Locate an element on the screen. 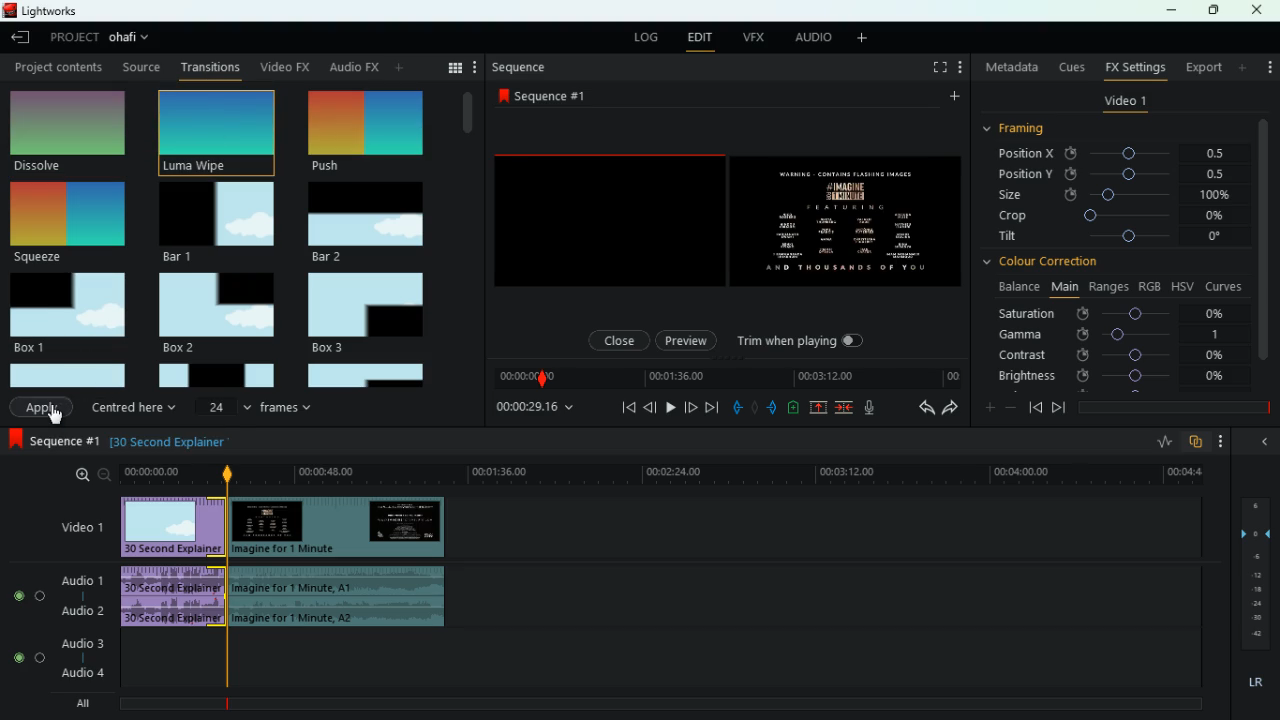 Image resolution: width=1280 pixels, height=720 pixels. crop is located at coordinates (1114, 217).